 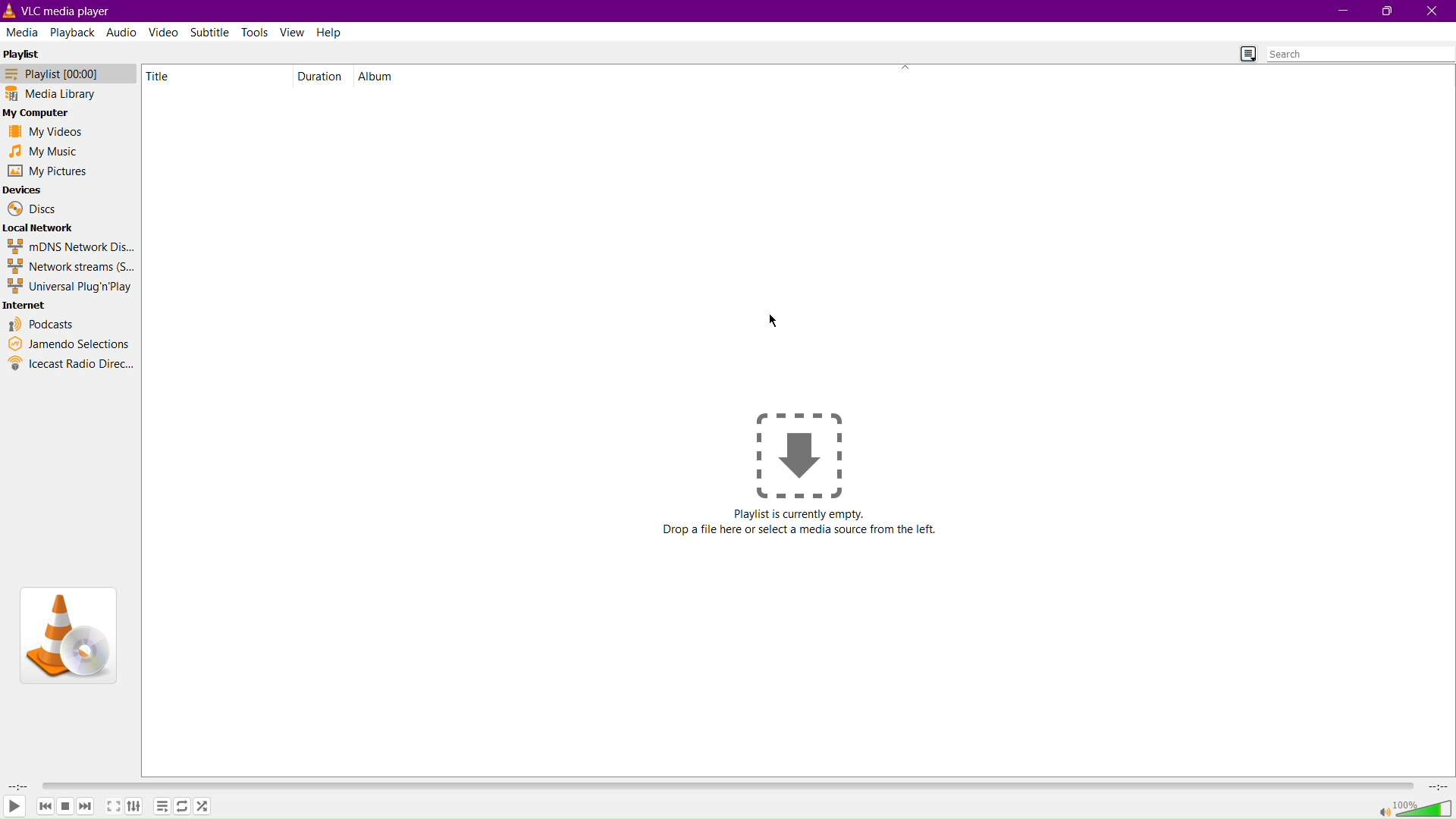 What do you see at coordinates (64, 95) in the screenshot?
I see `Media Library` at bounding box center [64, 95].